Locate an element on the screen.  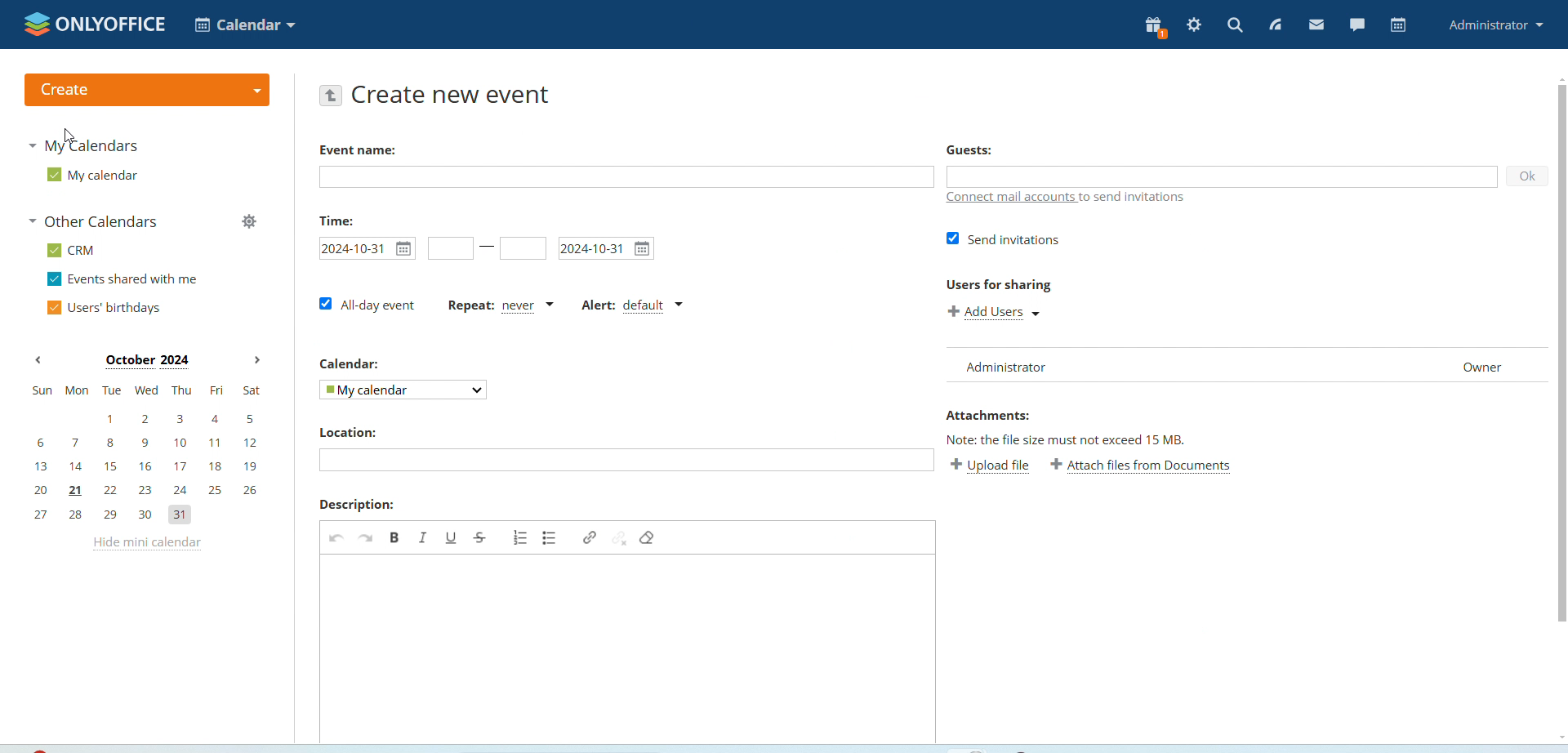
underline is located at coordinates (450, 538).